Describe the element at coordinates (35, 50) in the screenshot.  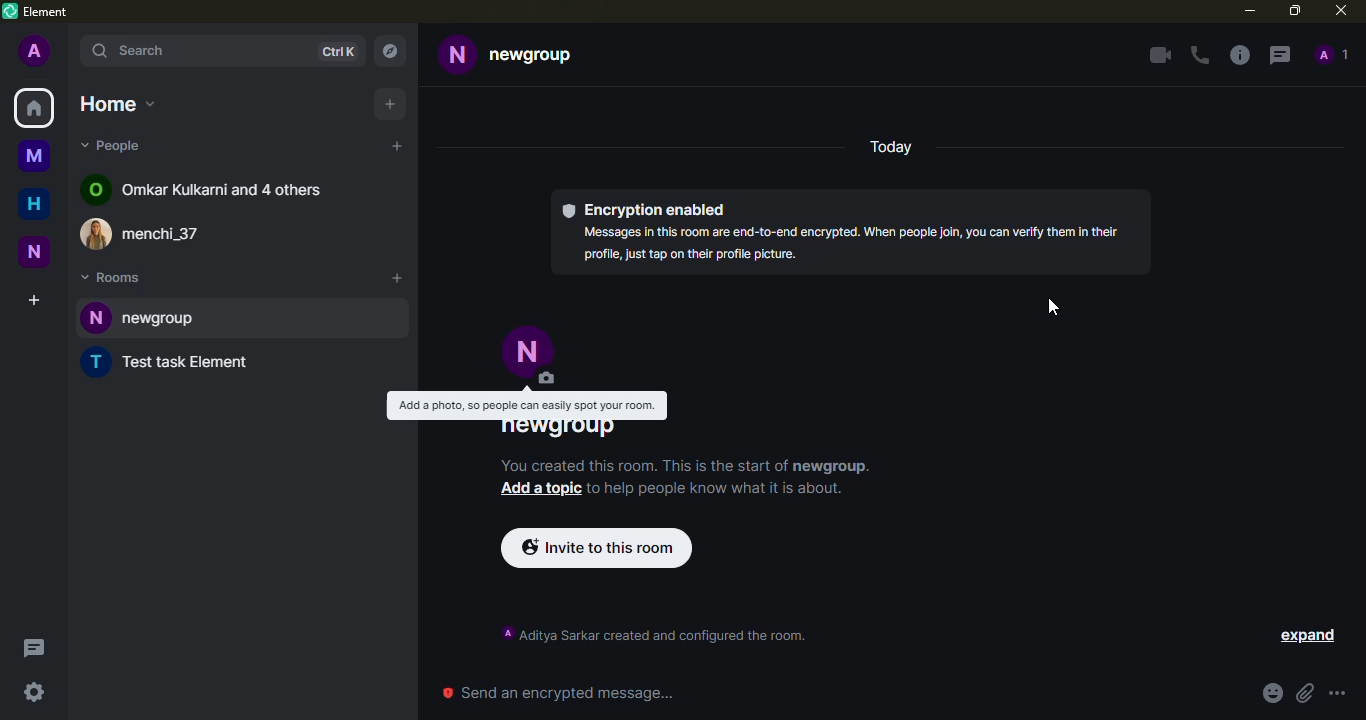
I see `profile initial` at that location.